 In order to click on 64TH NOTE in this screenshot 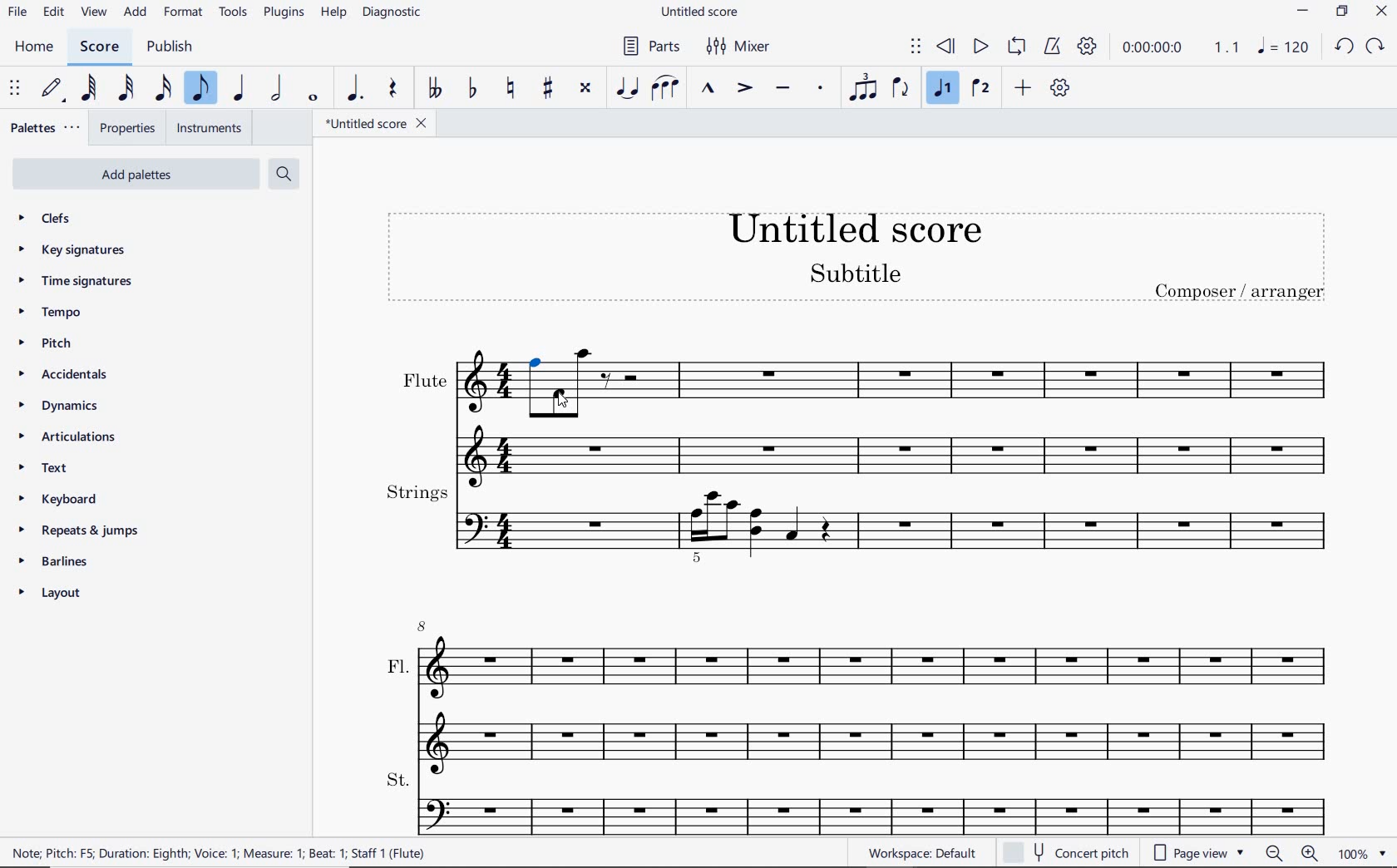, I will do `click(89, 88)`.